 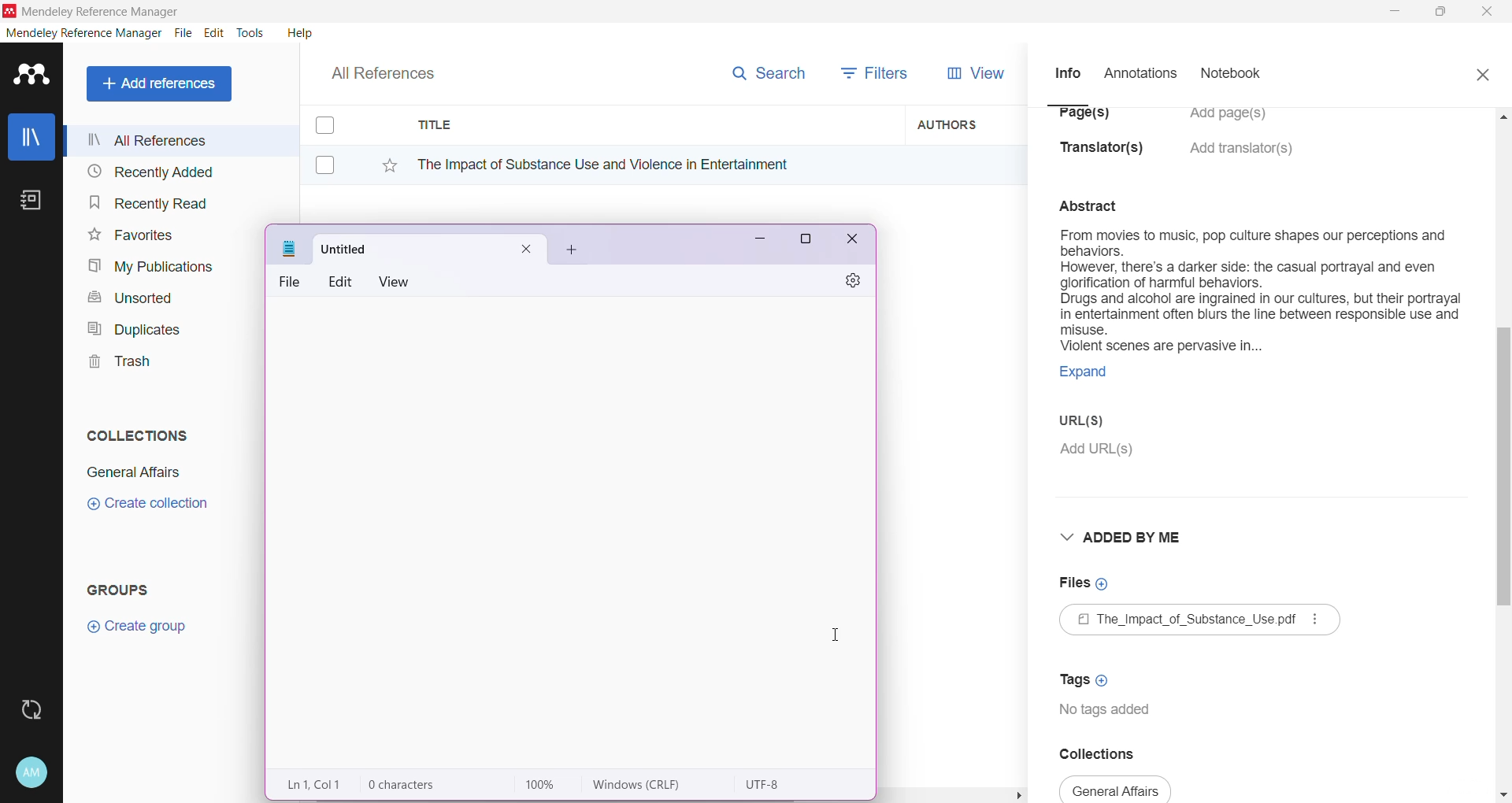 What do you see at coordinates (124, 589) in the screenshot?
I see `Groups` at bounding box center [124, 589].